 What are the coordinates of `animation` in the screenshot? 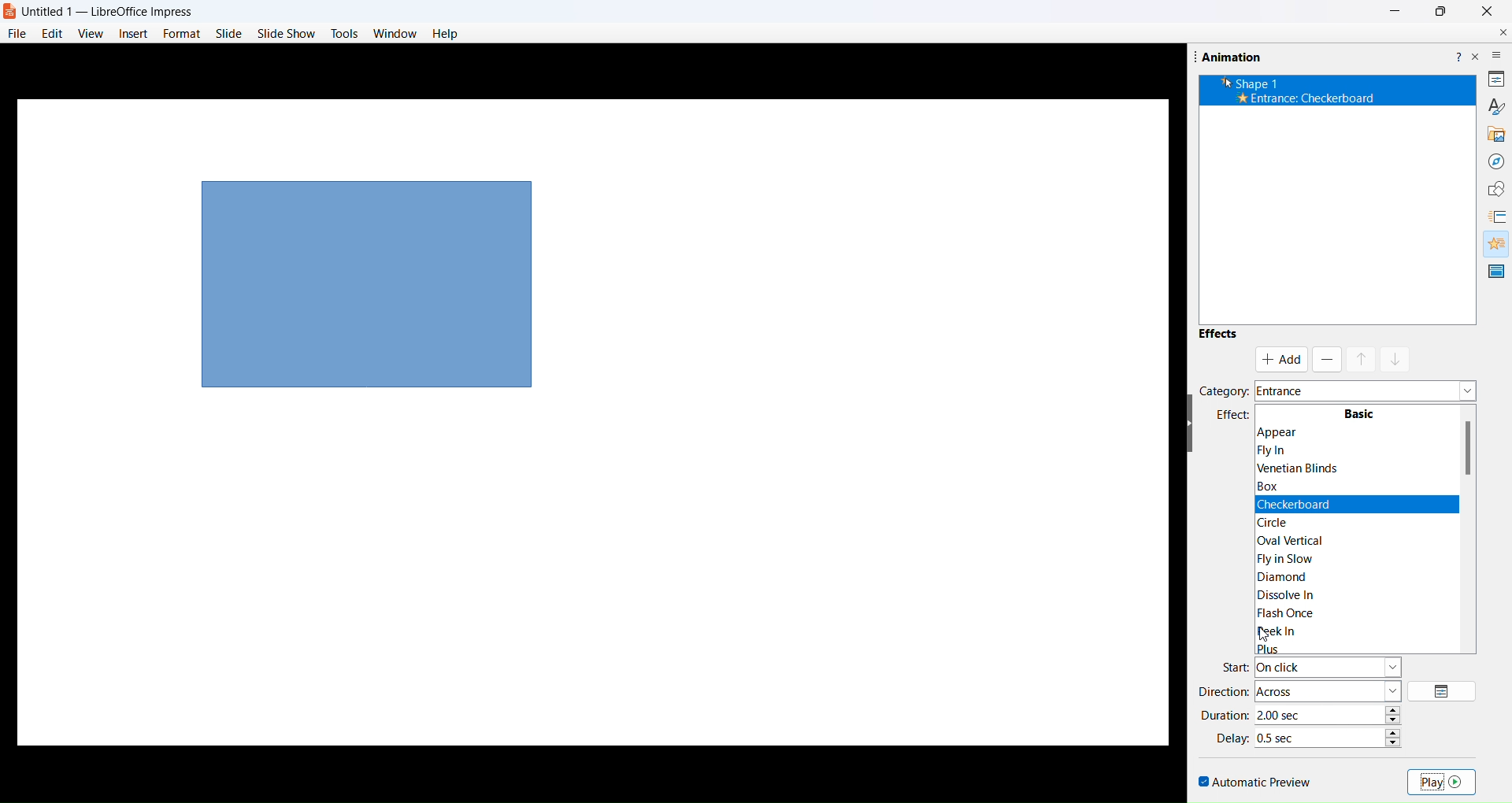 It's located at (1493, 243).